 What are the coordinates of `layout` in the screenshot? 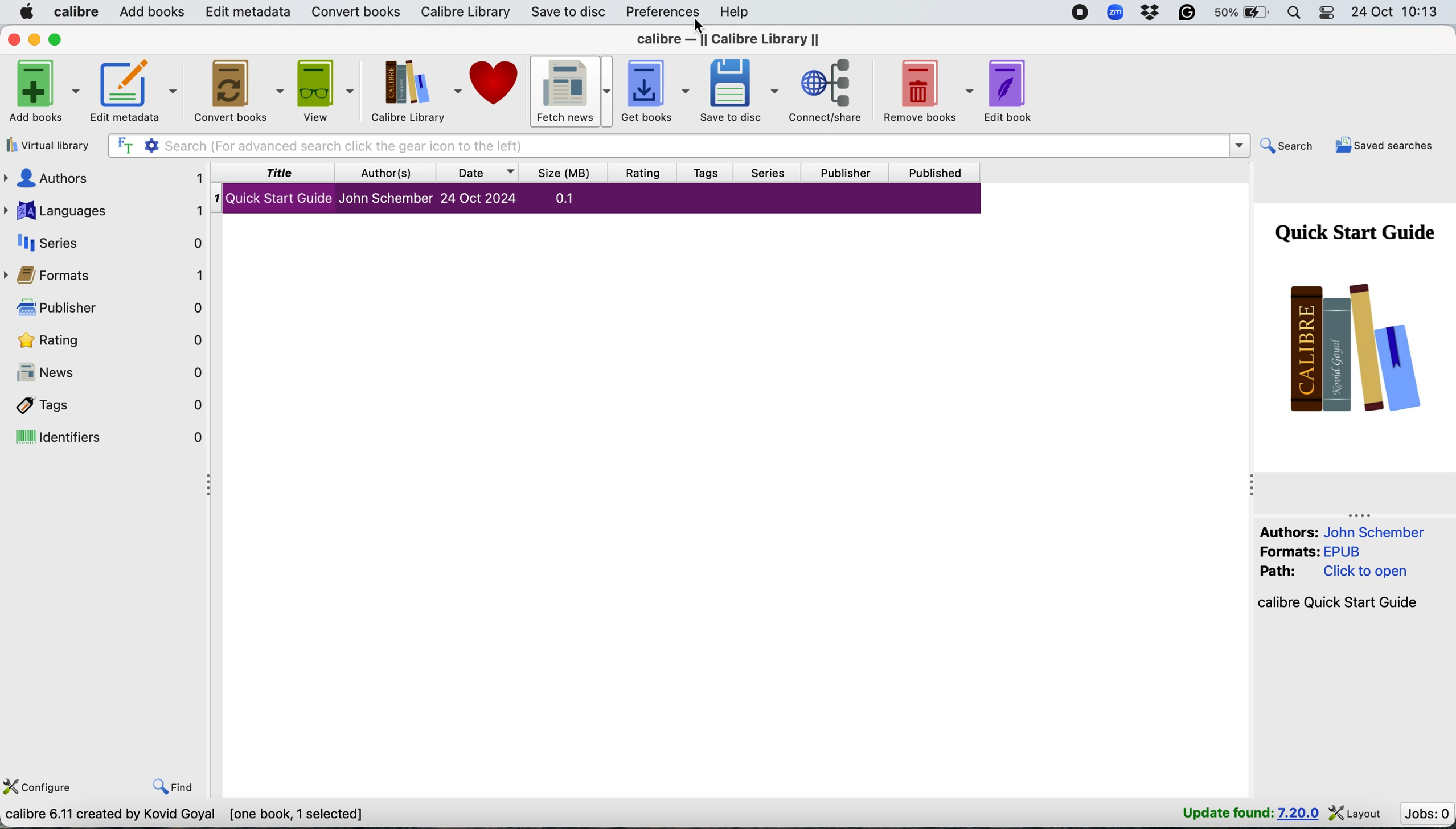 It's located at (1357, 815).